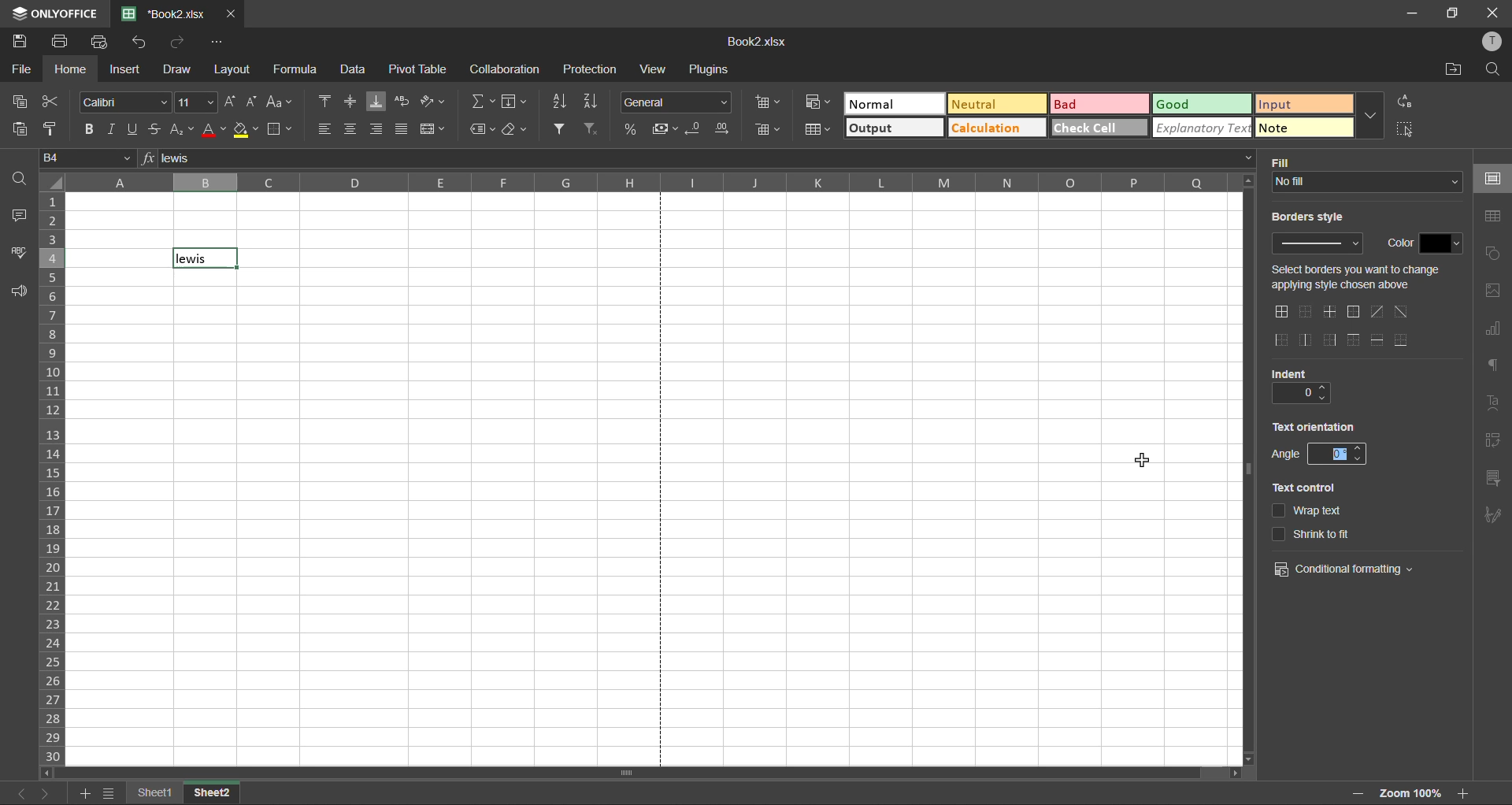  Describe the element at coordinates (1316, 426) in the screenshot. I see `text orientation ` at that location.